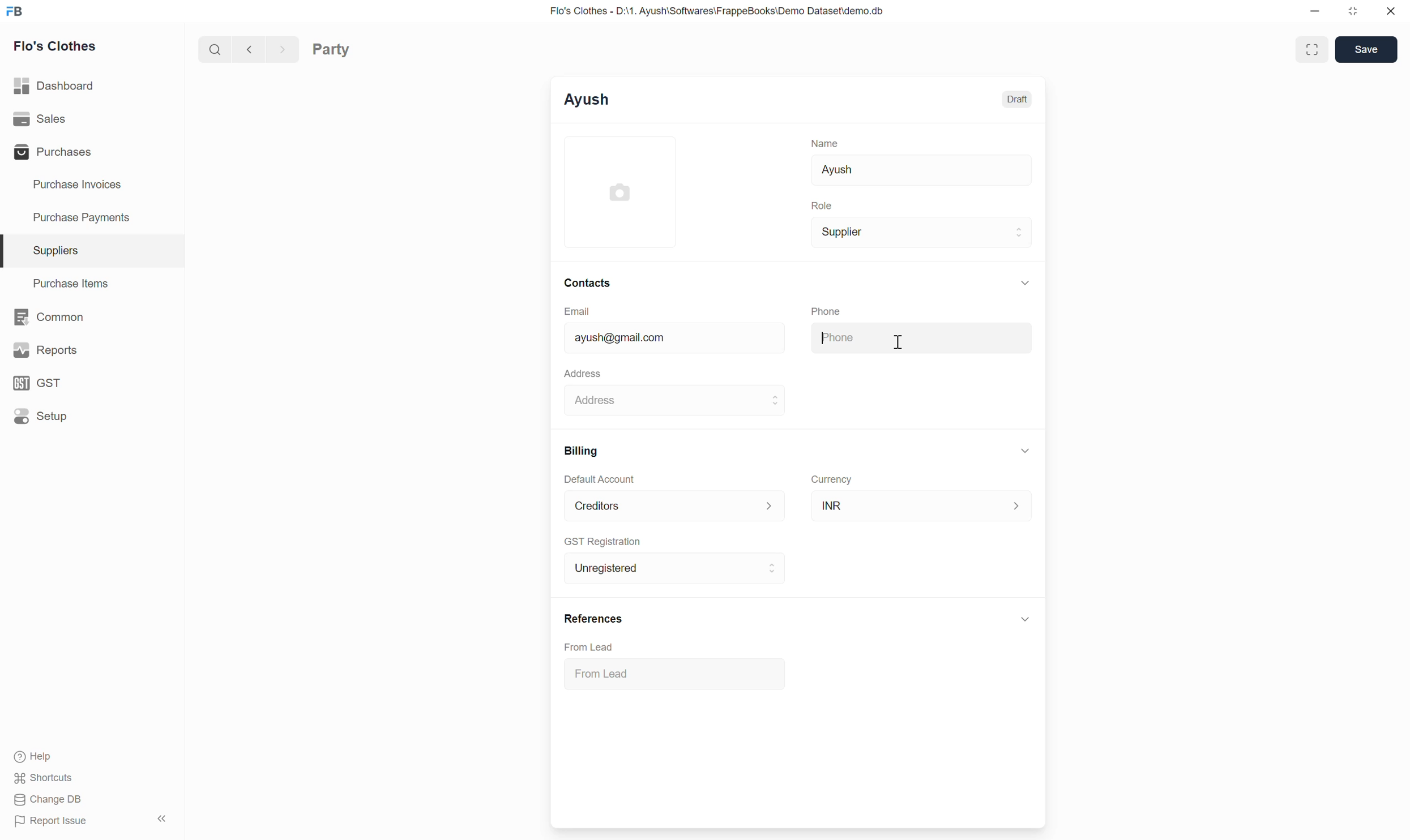 The height and width of the screenshot is (840, 1410). Describe the element at coordinates (91, 185) in the screenshot. I see `Purchase Invoices` at that location.